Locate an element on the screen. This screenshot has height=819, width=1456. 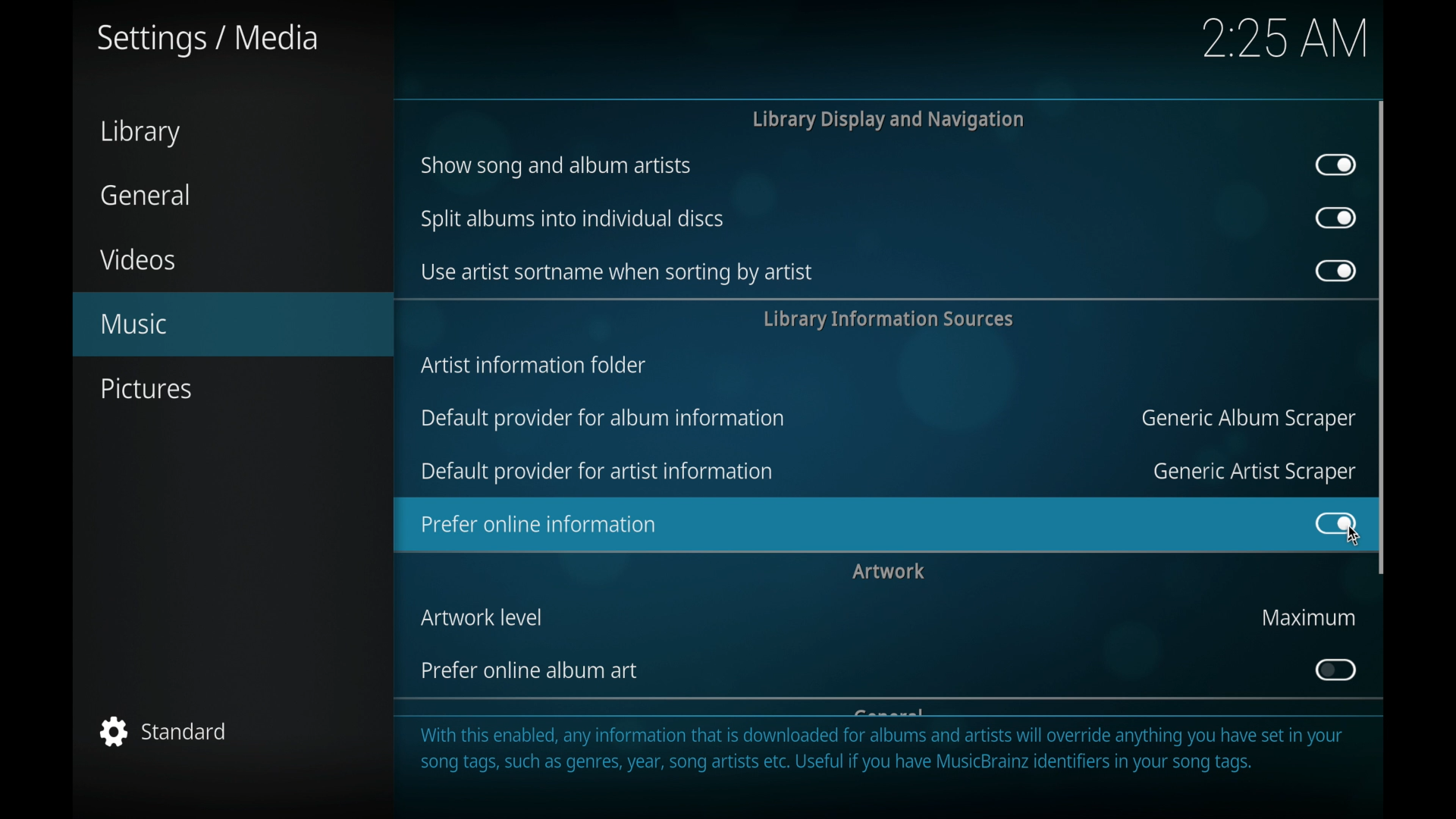
show song and album artists is located at coordinates (557, 168).